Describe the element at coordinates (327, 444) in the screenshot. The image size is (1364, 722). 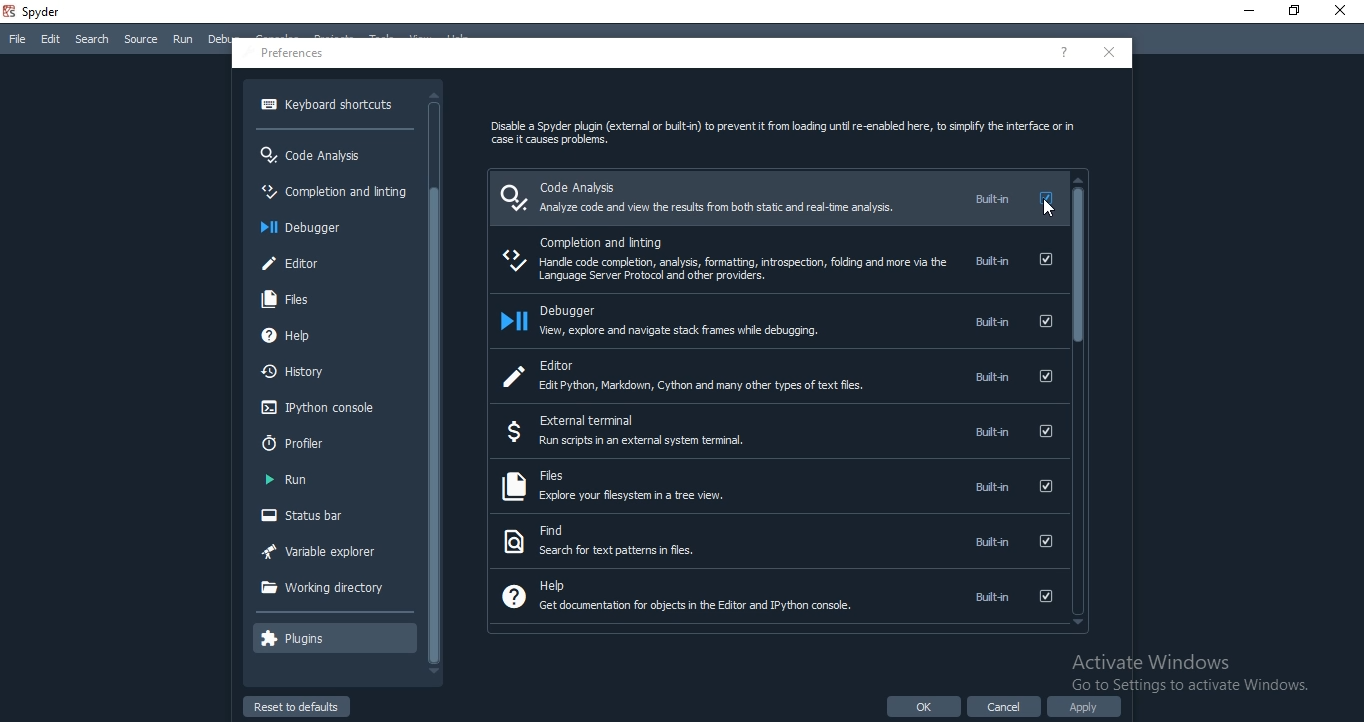
I see `profiler` at that location.